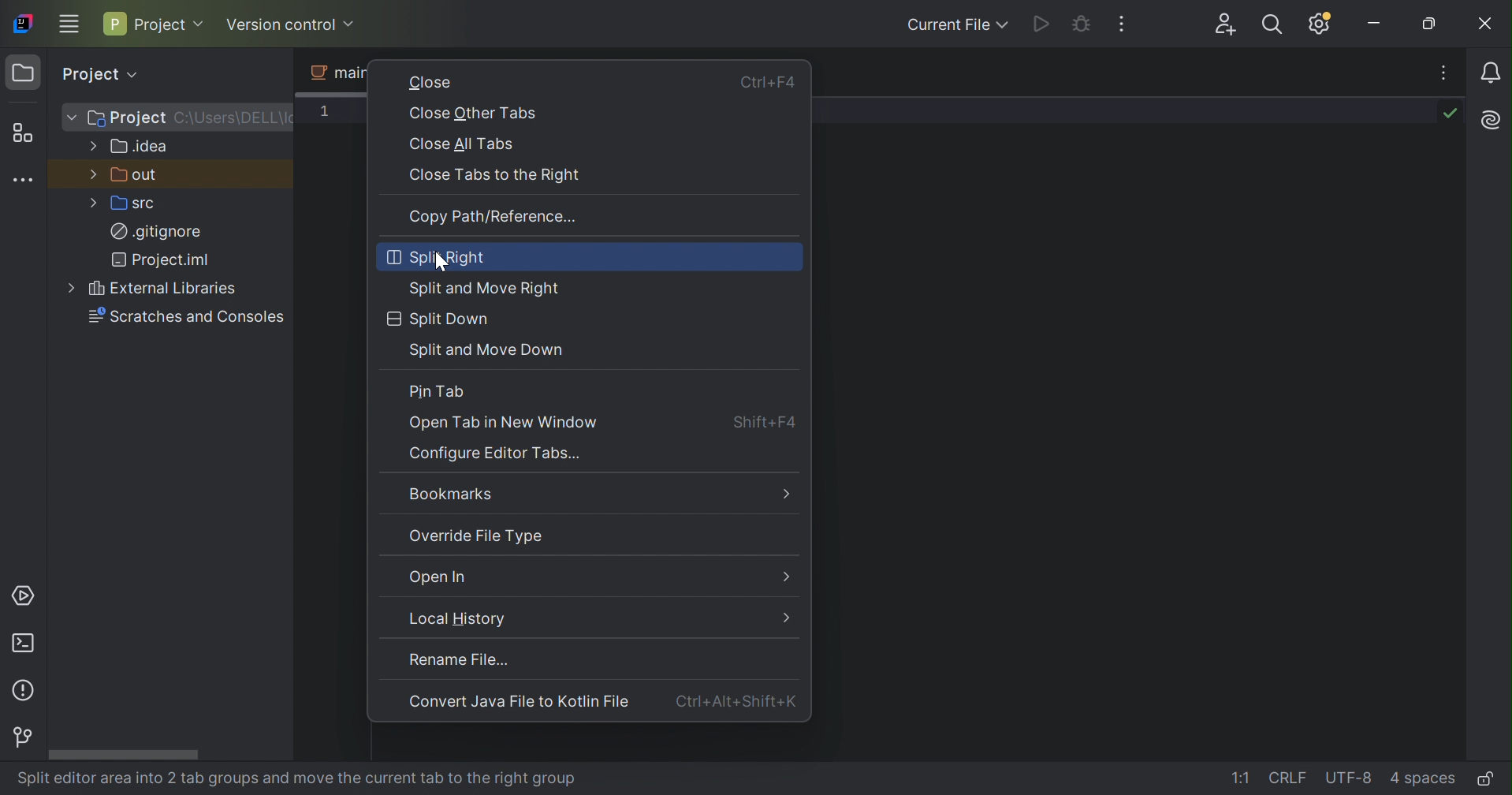  What do you see at coordinates (19, 738) in the screenshot?
I see `Version control` at bounding box center [19, 738].